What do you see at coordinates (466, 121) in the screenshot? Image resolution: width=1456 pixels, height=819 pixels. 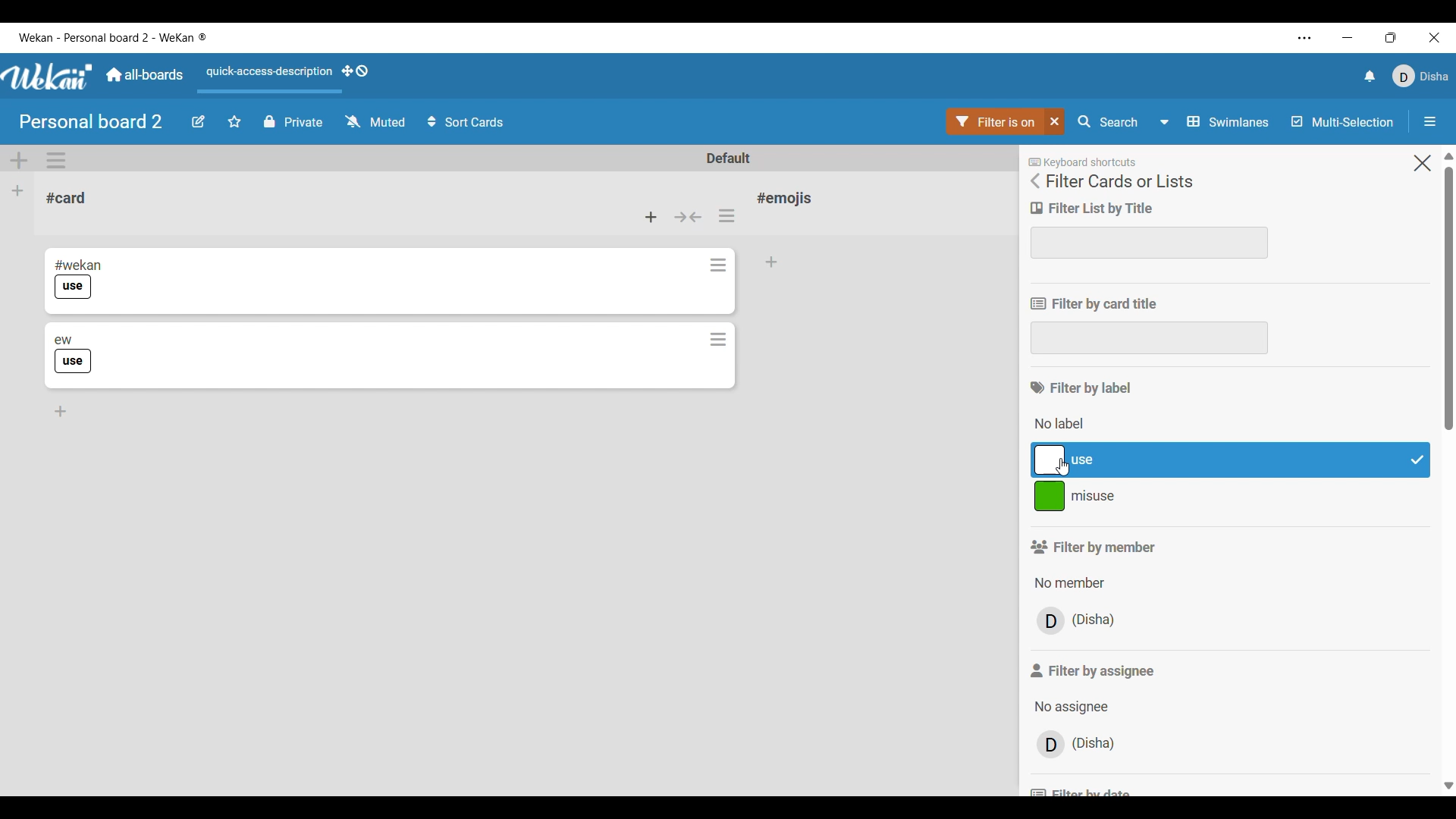 I see `Sort card options` at bounding box center [466, 121].